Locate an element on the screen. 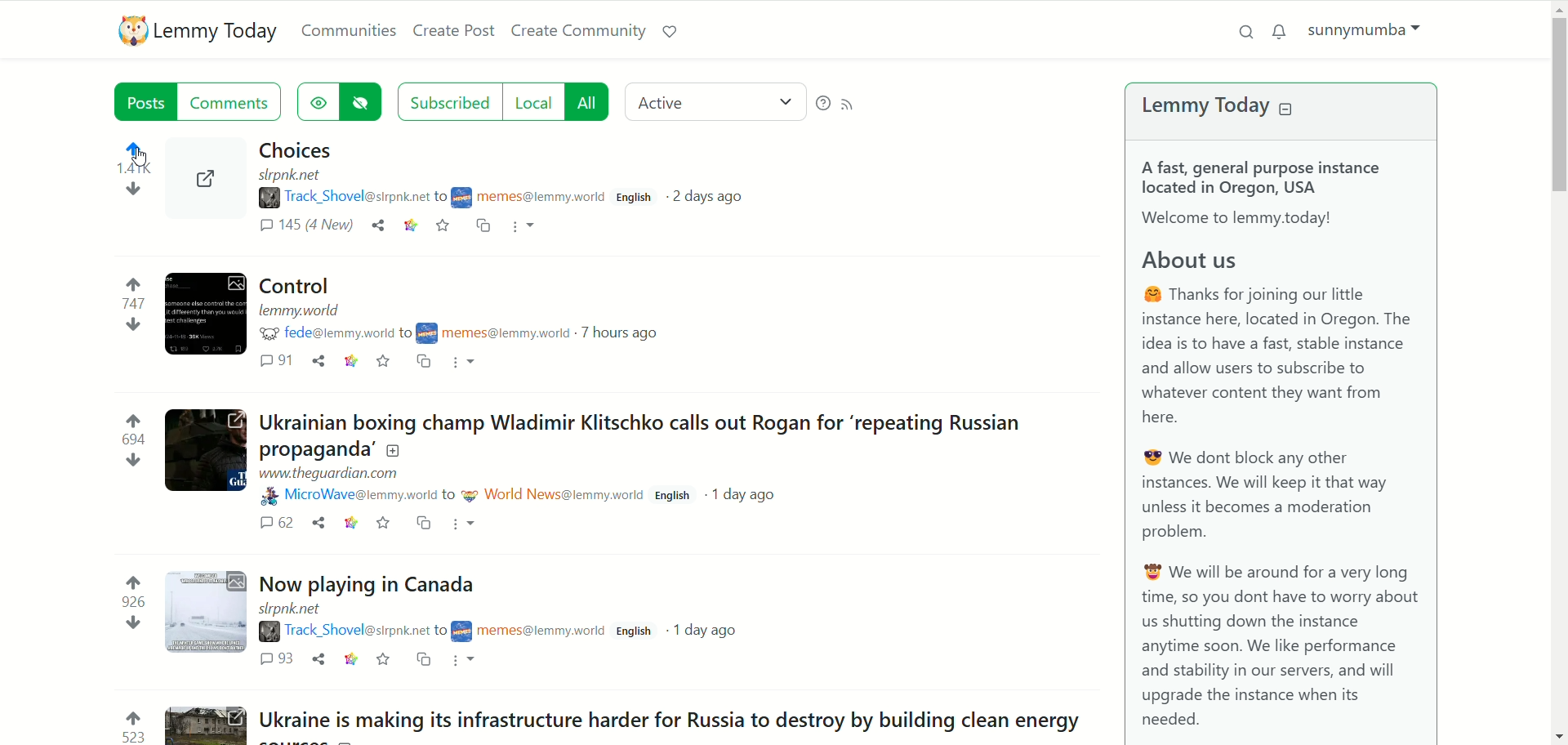  down vote is located at coordinates (131, 326).